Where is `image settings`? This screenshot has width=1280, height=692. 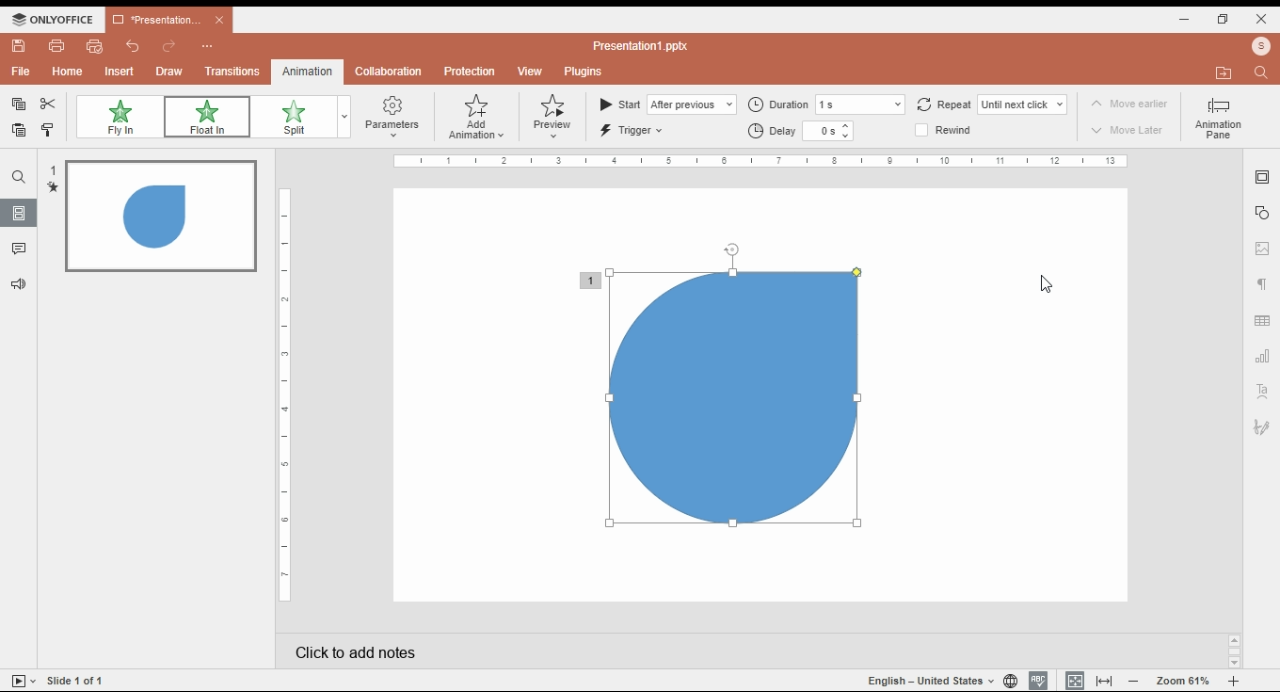 image settings is located at coordinates (1262, 248).